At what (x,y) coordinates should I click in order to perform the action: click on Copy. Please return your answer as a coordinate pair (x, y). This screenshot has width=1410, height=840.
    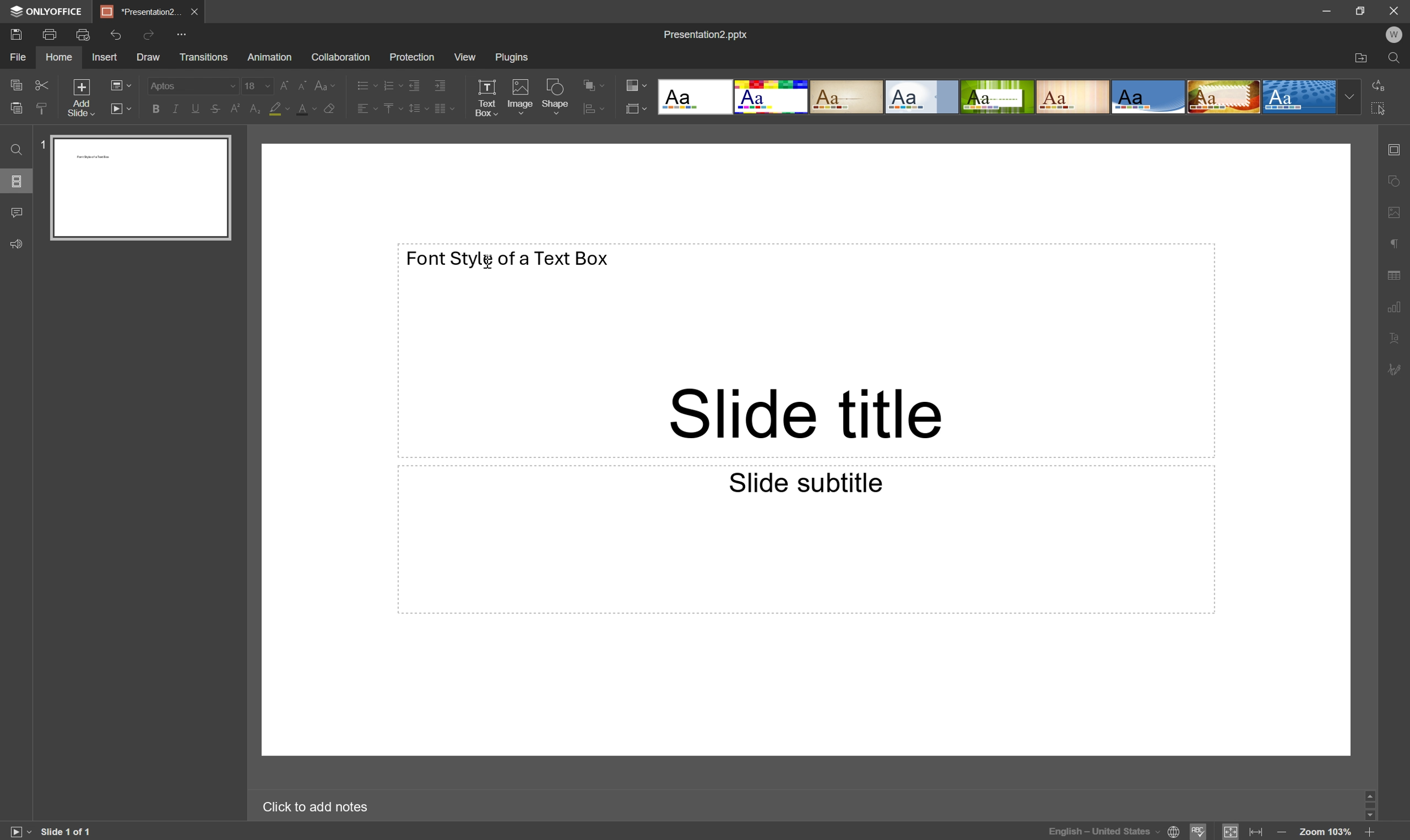
    Looking at the image, I should click on (17, 84).